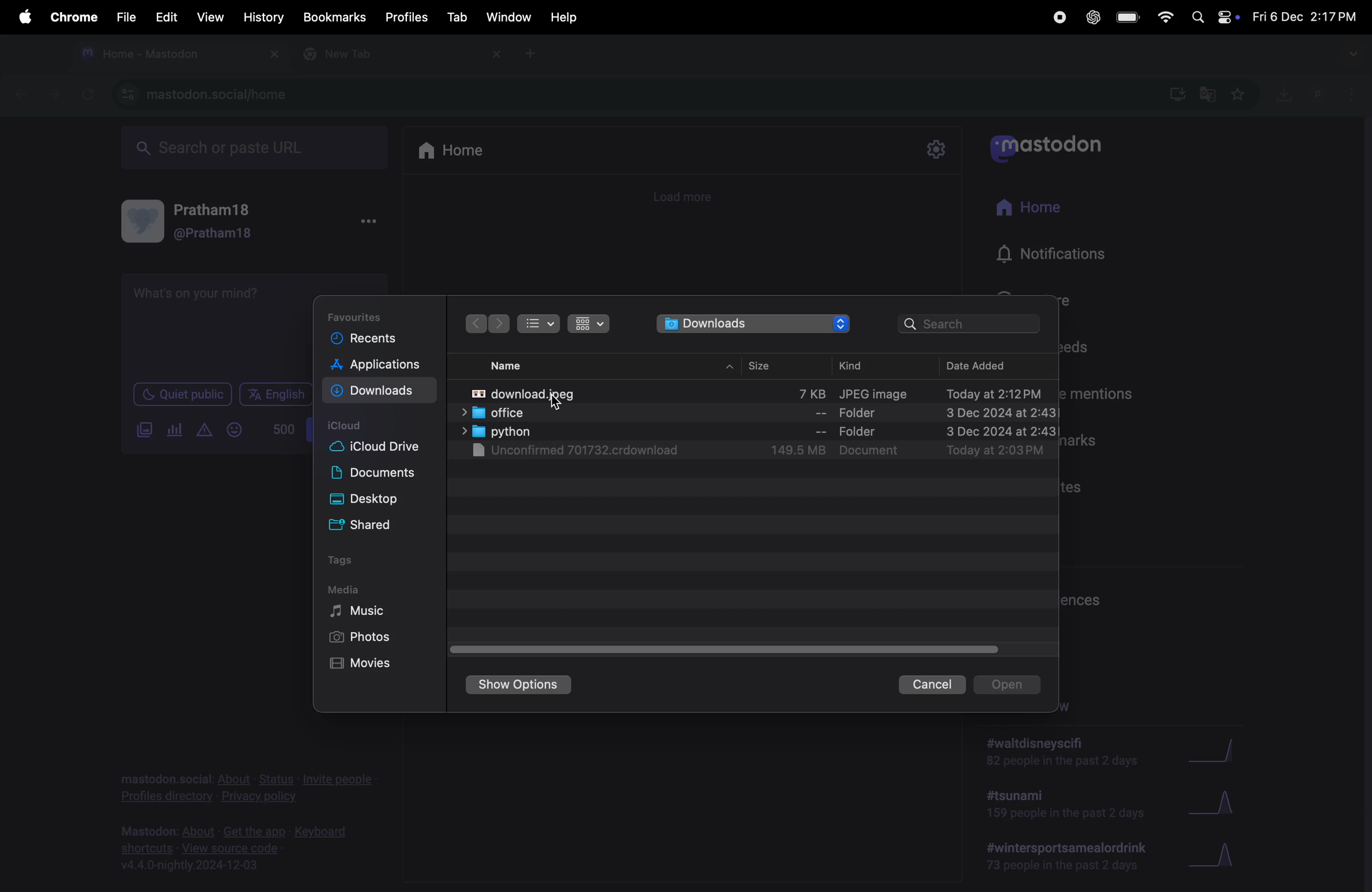  What do you see at coordinates (363, 338) in the screenshot?
I see `recent` at bounding box center [363, 338].